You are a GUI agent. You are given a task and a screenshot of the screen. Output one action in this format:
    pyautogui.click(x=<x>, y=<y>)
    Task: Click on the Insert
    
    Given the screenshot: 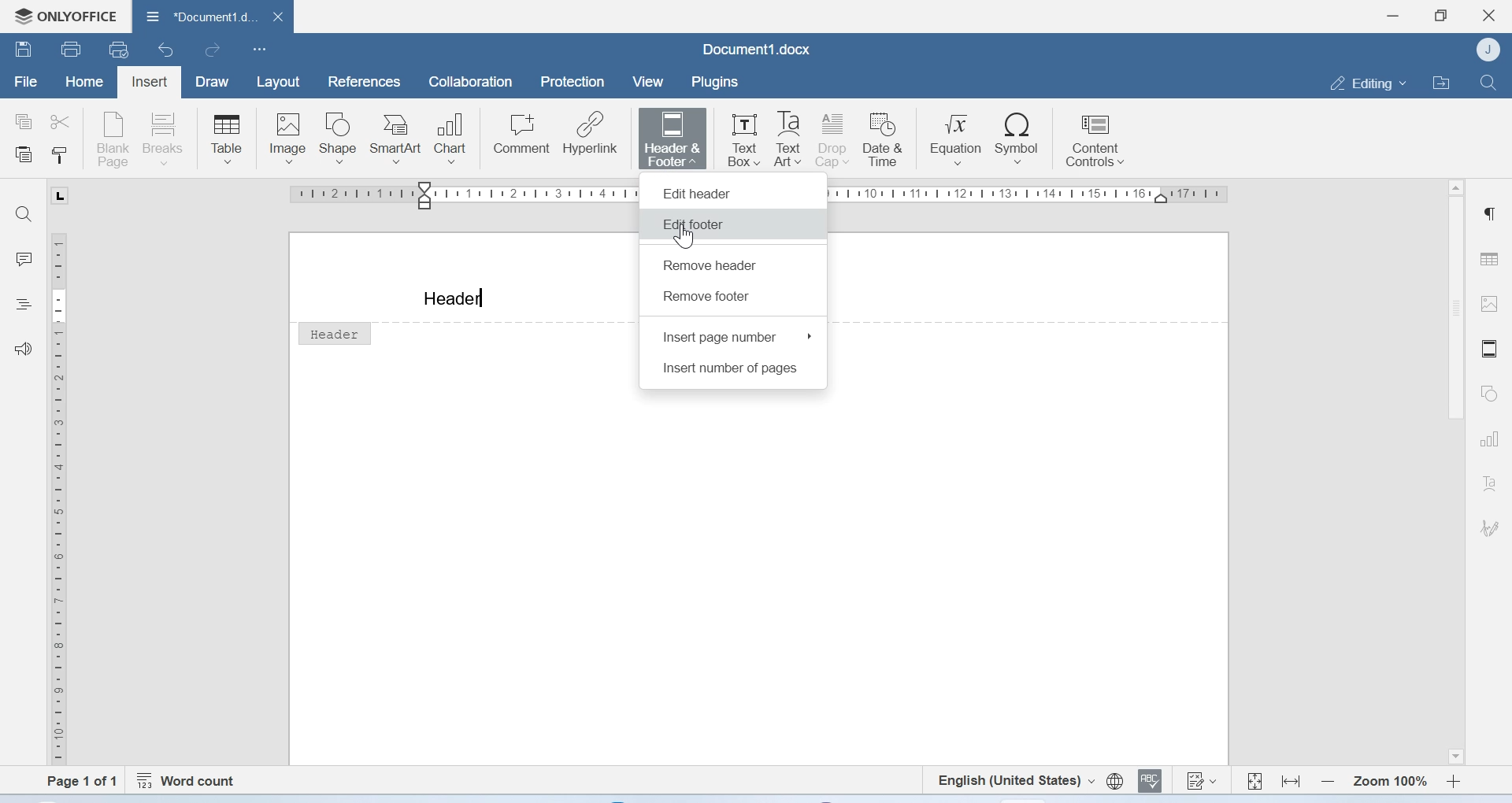 What is the action you would take?
    pyautogui.click(x=150, y=80)
    